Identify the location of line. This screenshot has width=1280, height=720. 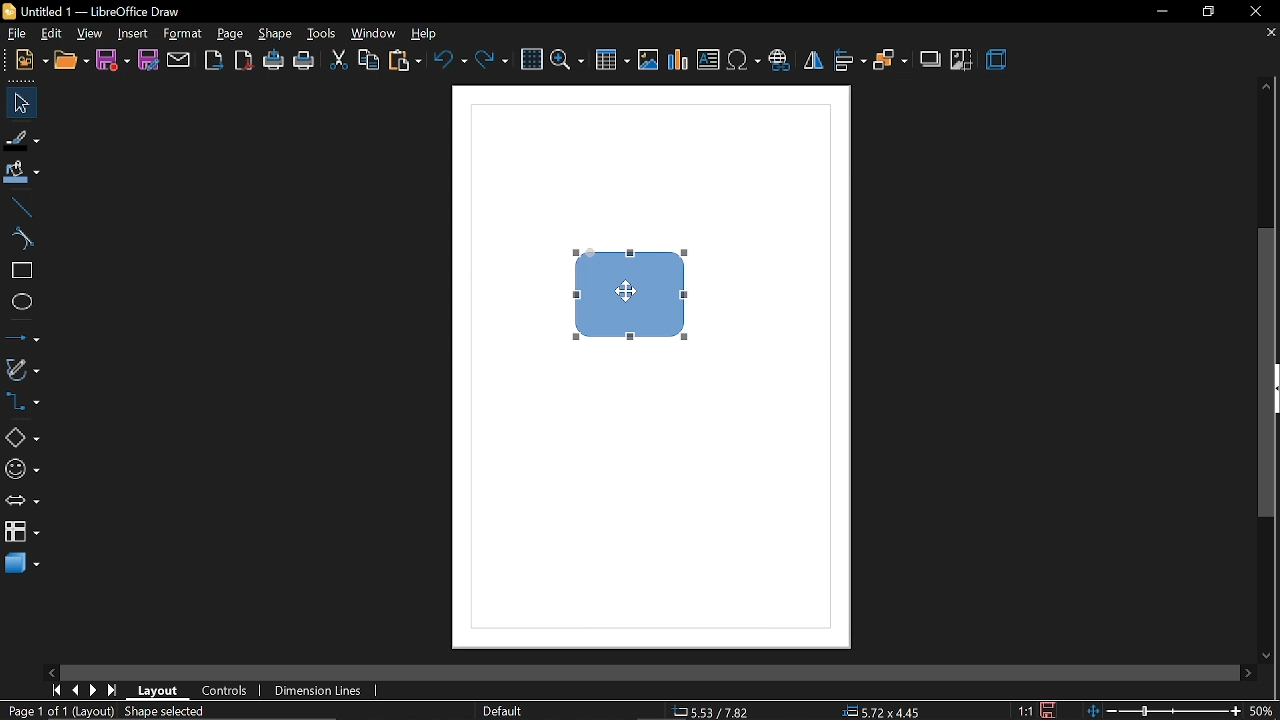
(19, 208).